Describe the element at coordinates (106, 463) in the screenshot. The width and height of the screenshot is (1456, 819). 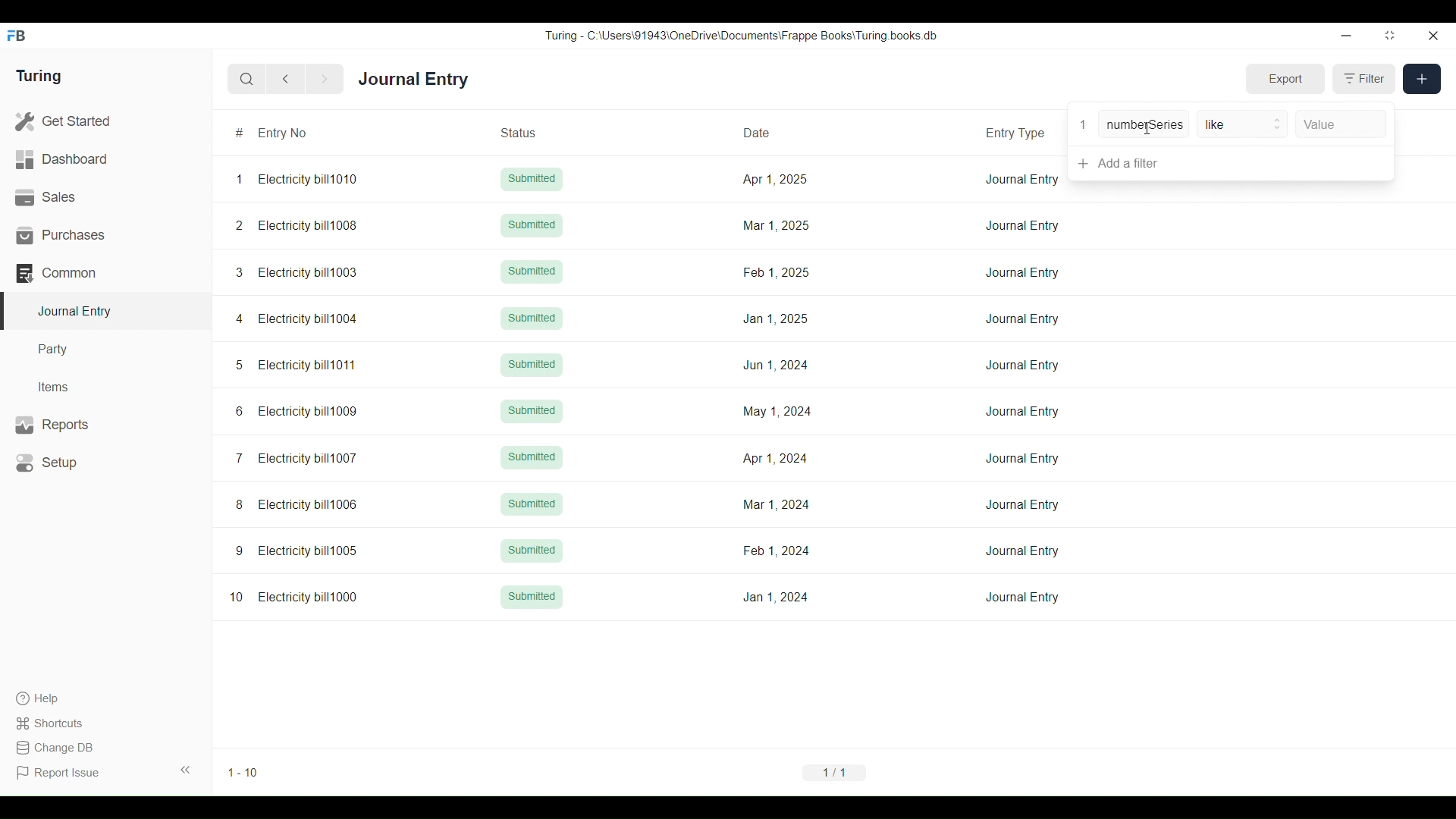
I see `Setup` at that location.